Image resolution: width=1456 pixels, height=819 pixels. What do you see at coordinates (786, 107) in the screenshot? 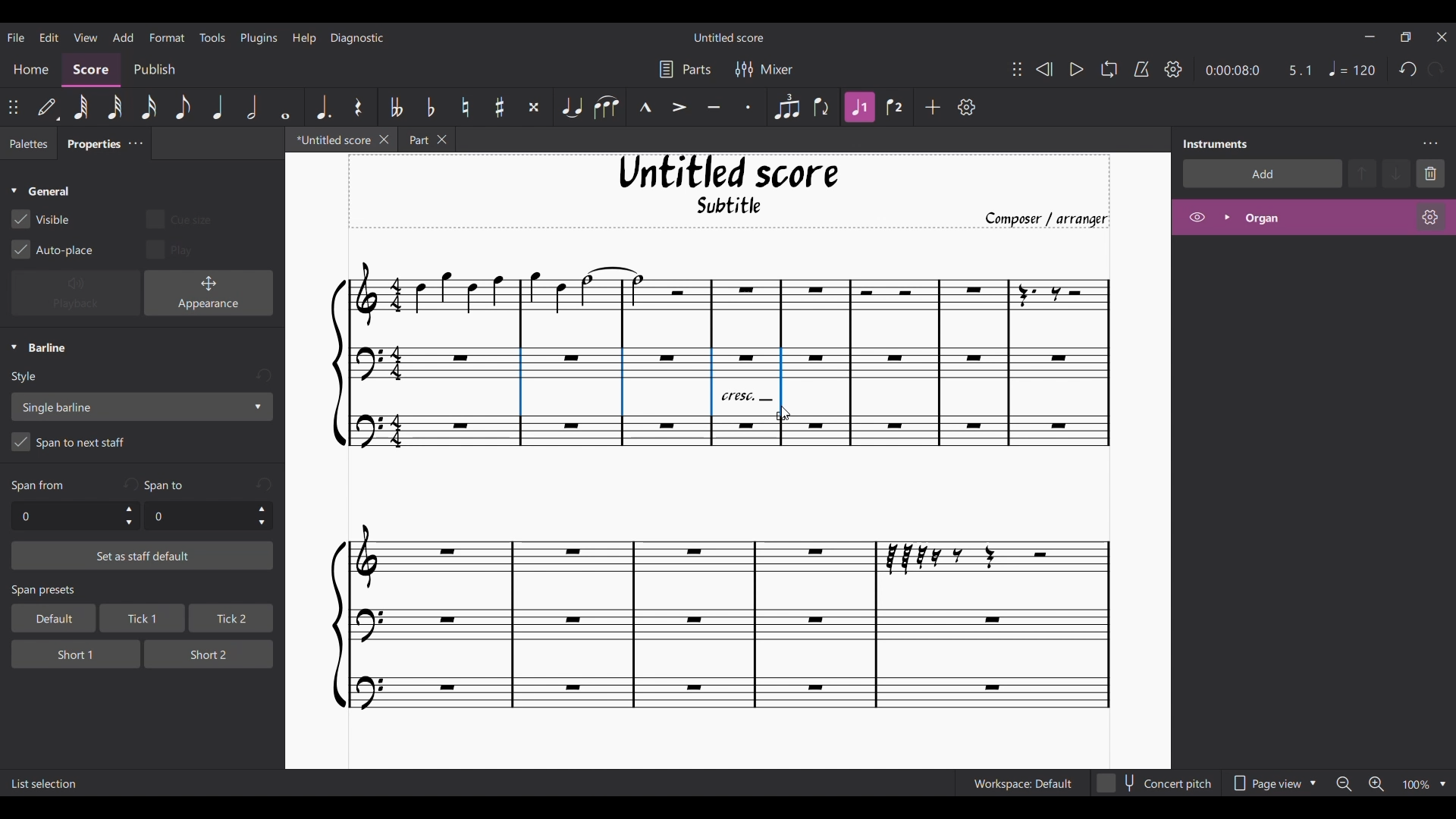
I see `Tuplet` at bounding box center [786, 107].